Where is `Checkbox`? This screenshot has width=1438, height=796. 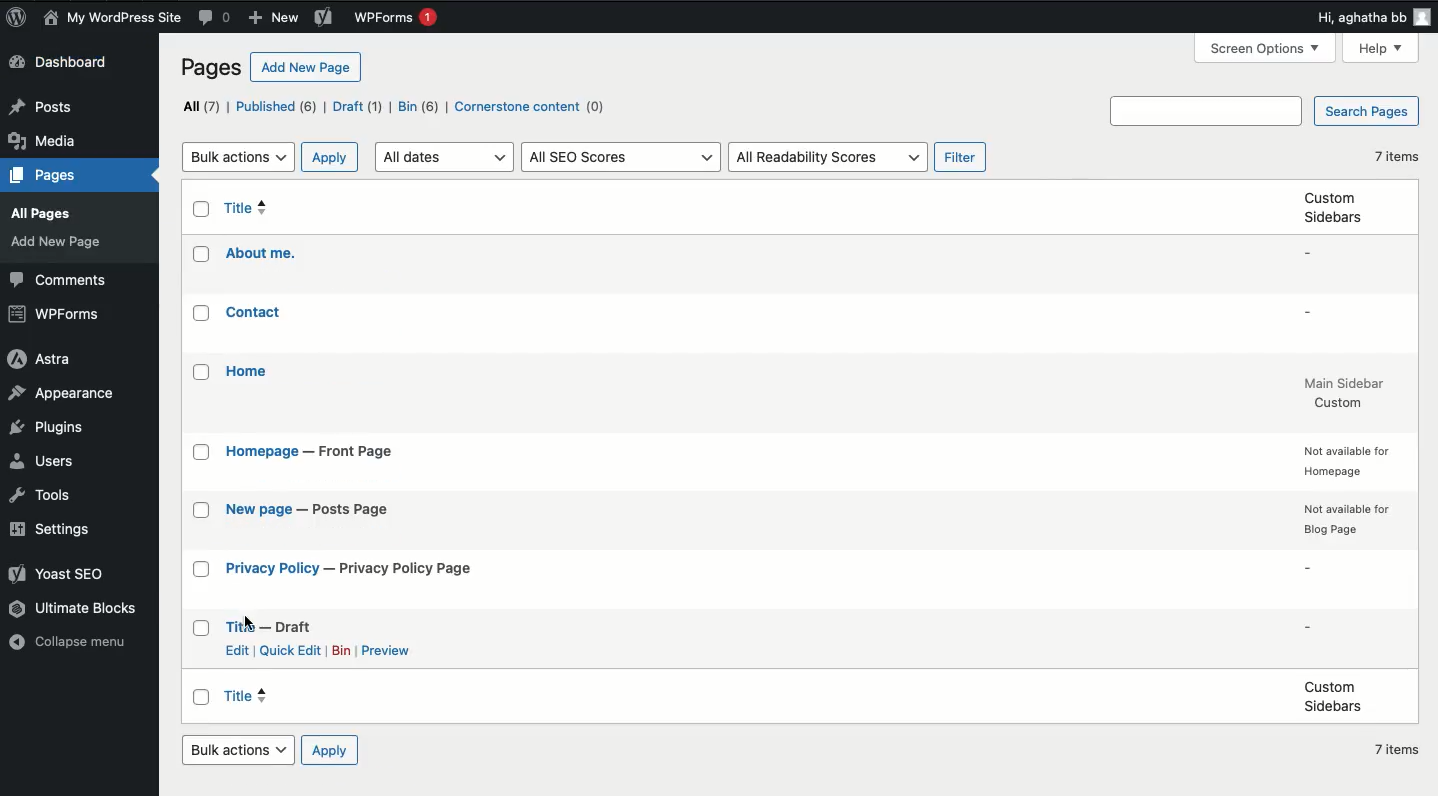 Checkbox is located at coordinates (203, 452).